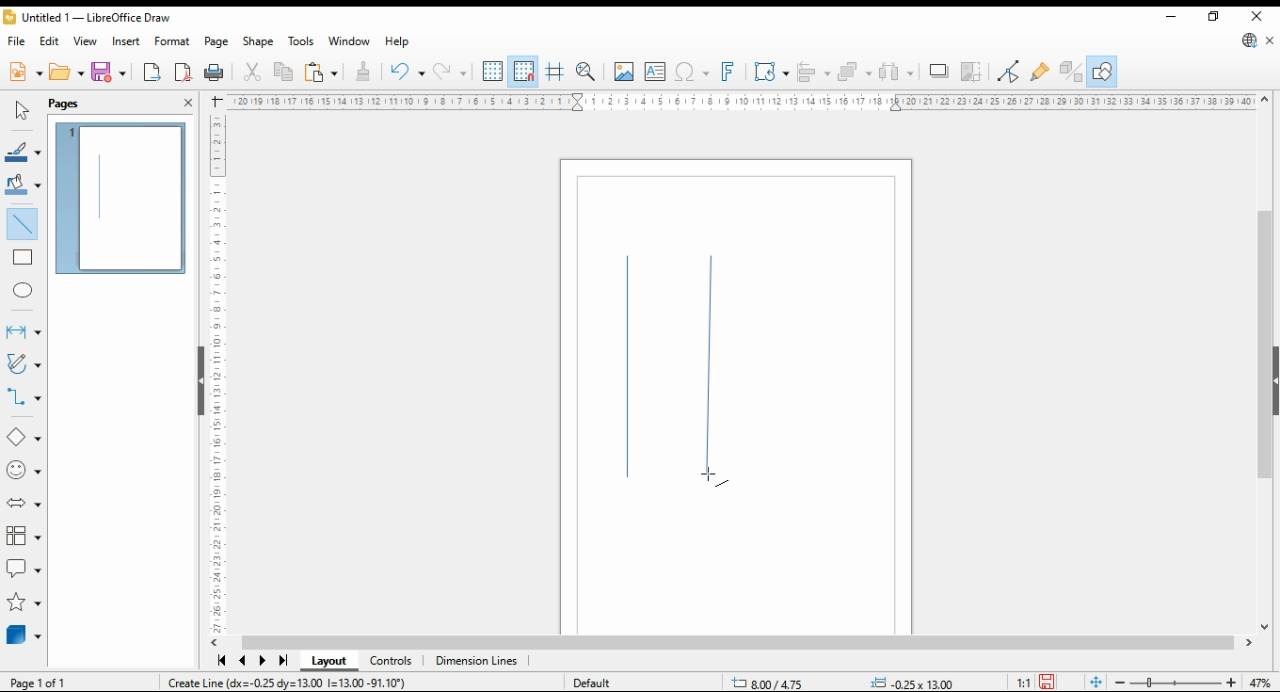 The width and height of the screenshot is (1280, 692). I want to click on file, so click(18, 41).